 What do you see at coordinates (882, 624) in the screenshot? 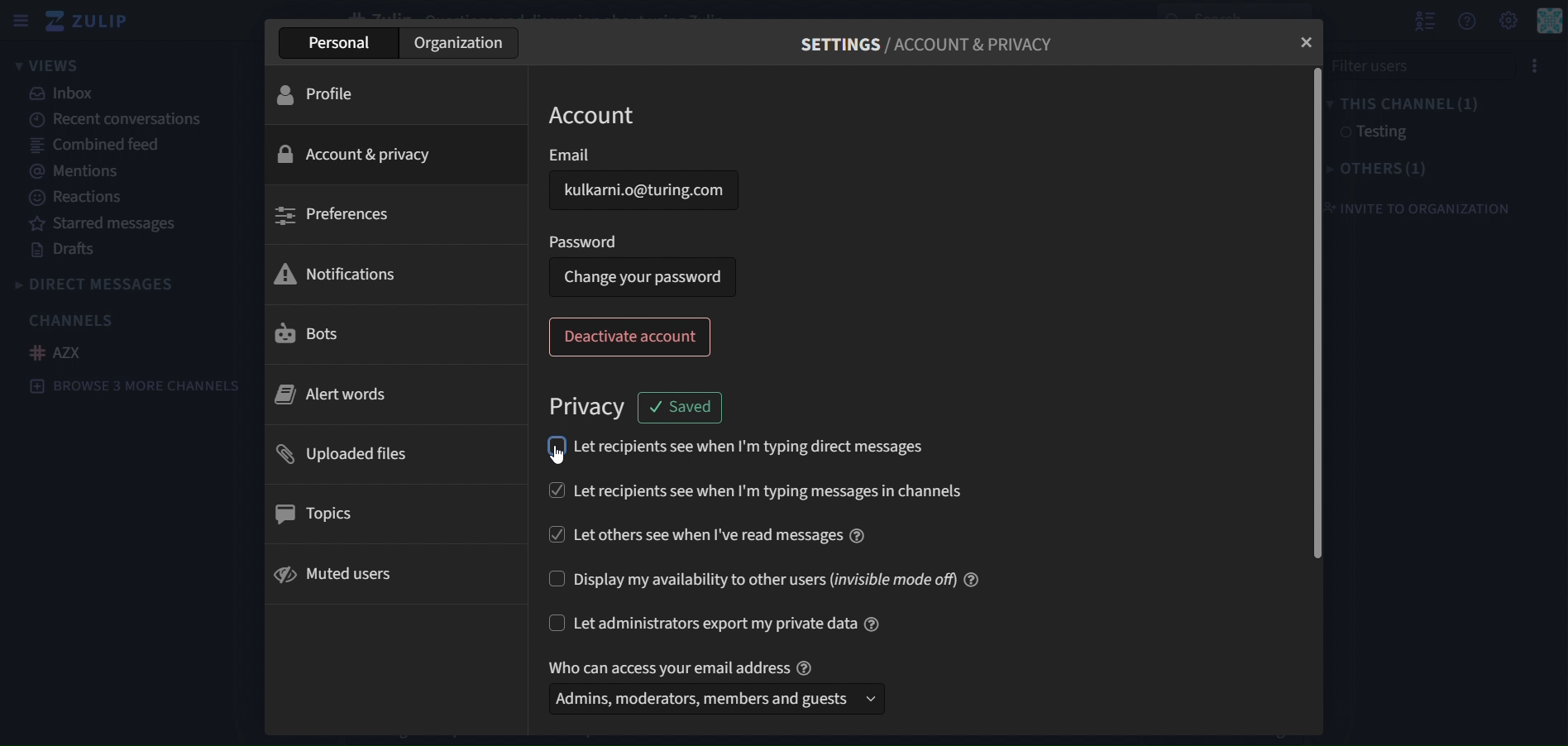
I see `information` at bounding box center [882, 624].